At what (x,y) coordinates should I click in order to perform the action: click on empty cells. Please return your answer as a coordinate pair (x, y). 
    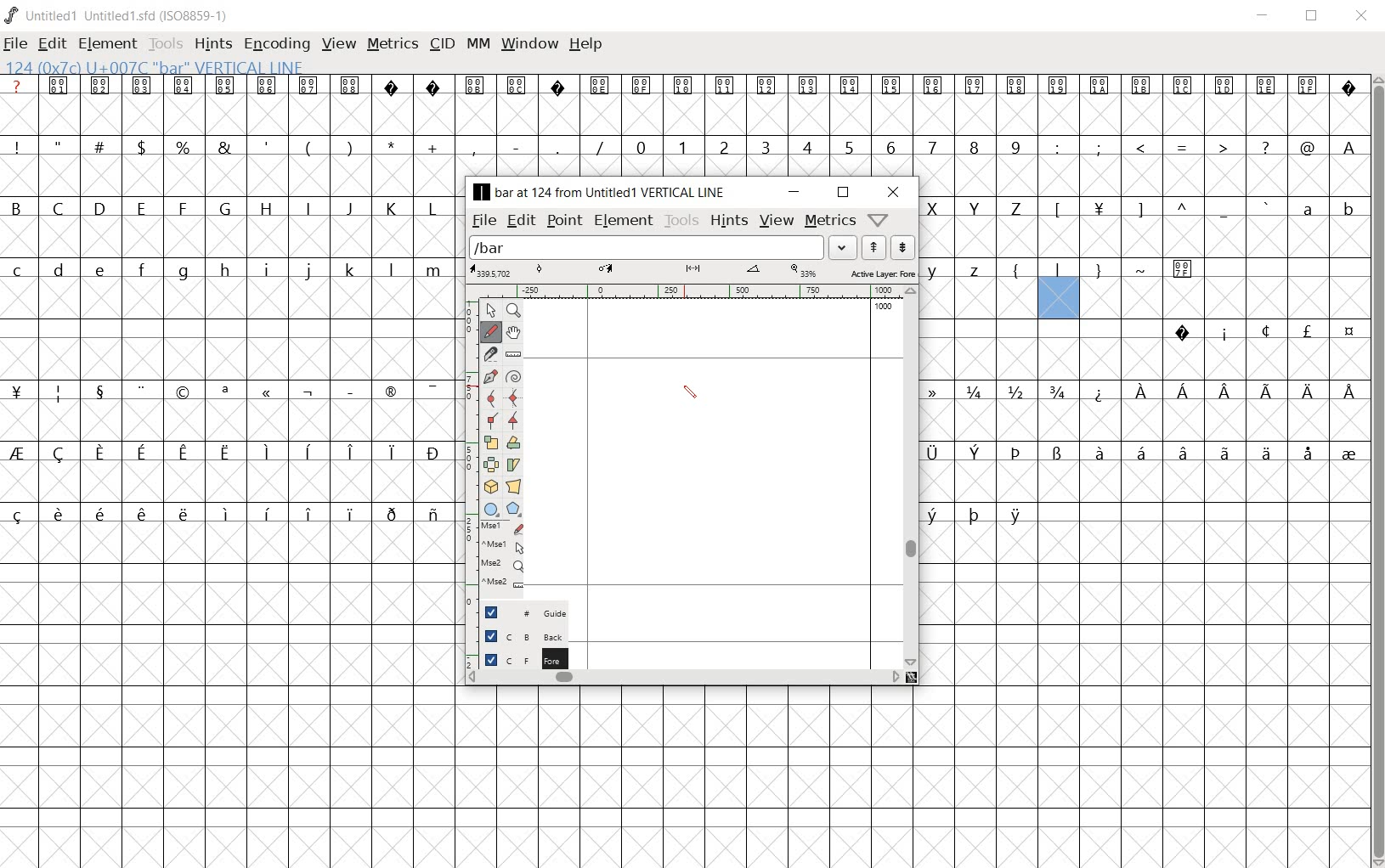
    Looking at the image, I should click on (683, 116).